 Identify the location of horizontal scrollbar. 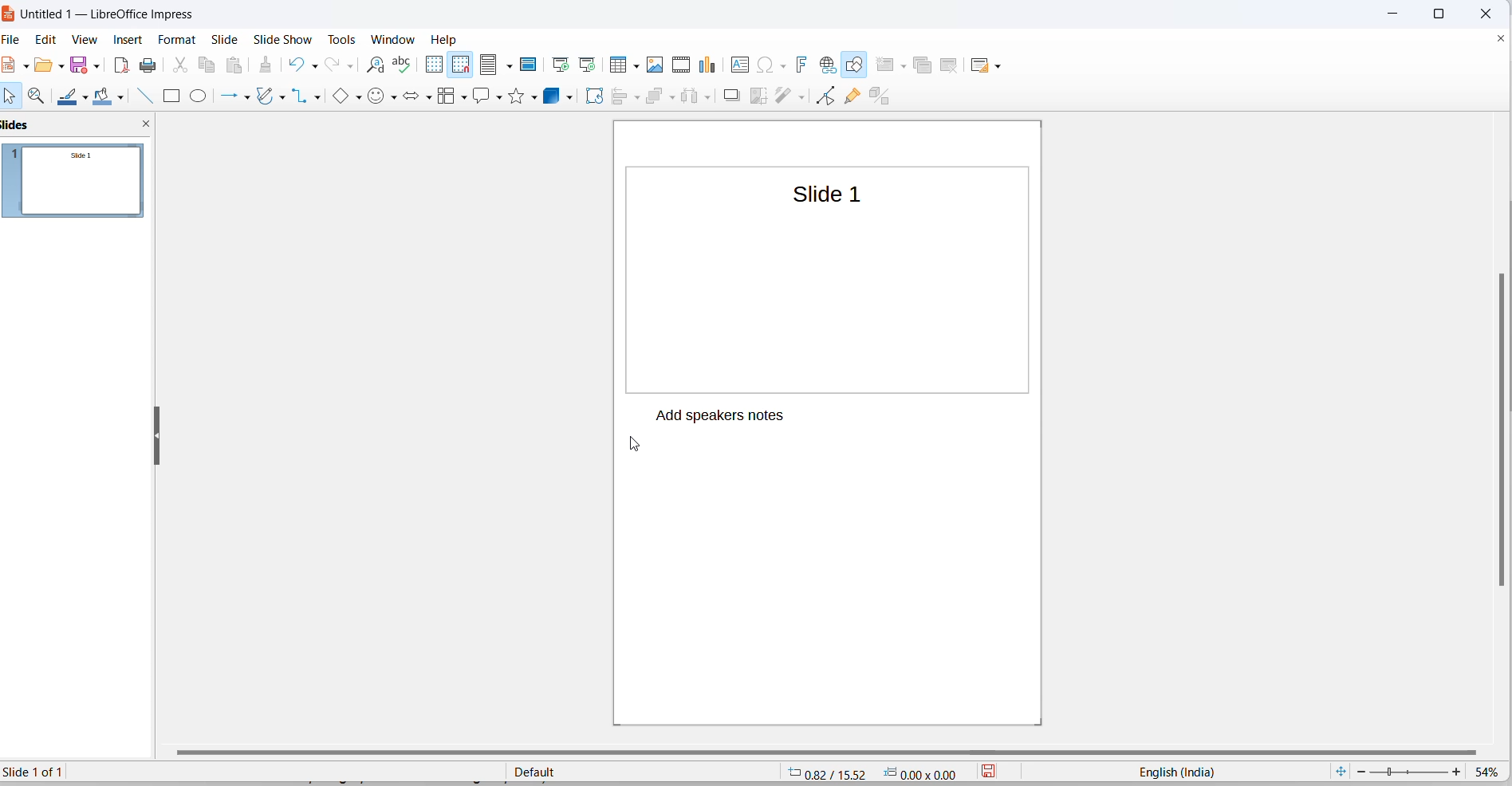
(838, 755).